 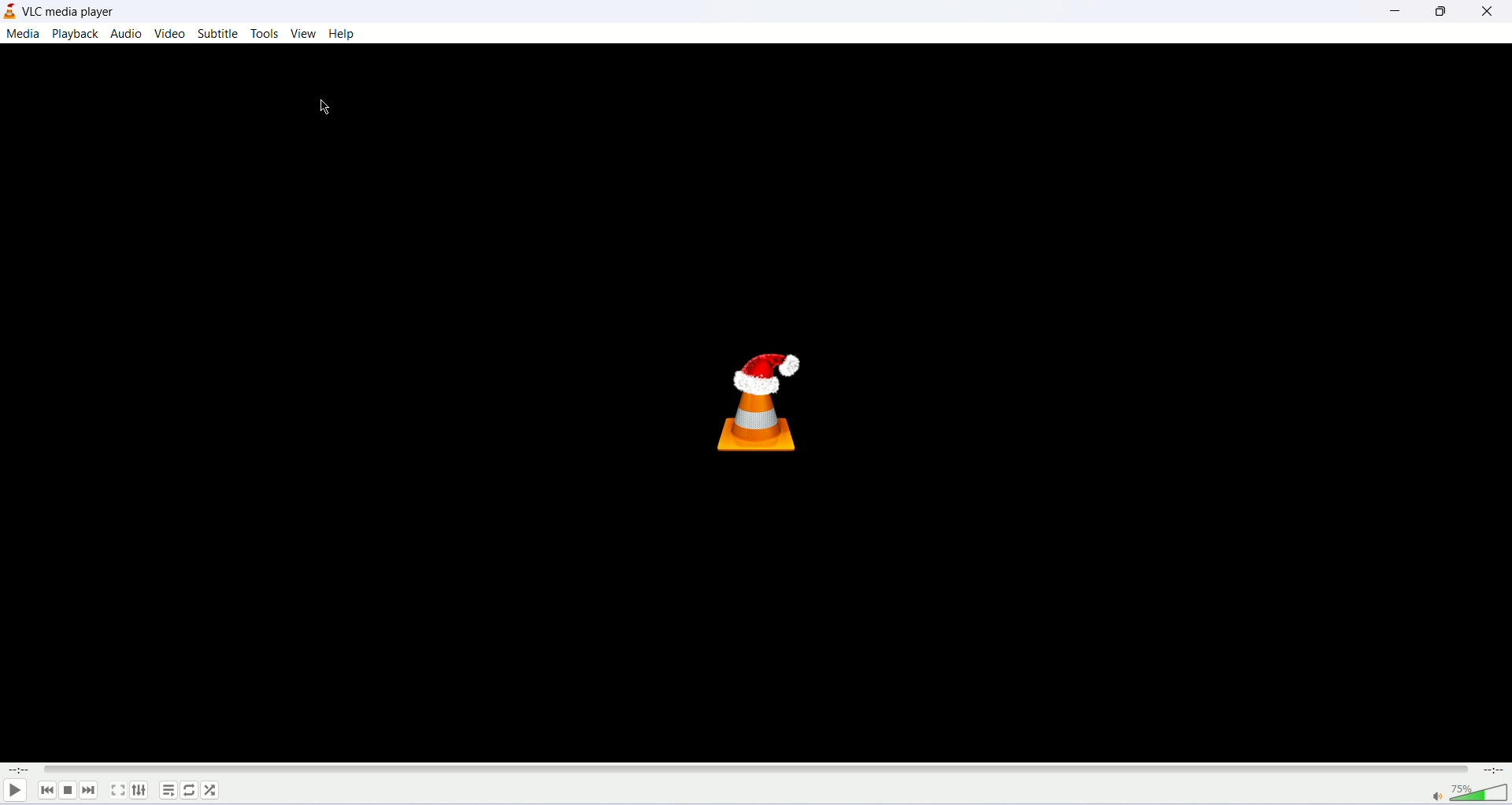 I want to click on fullscreen, so click(x=119, y=790).